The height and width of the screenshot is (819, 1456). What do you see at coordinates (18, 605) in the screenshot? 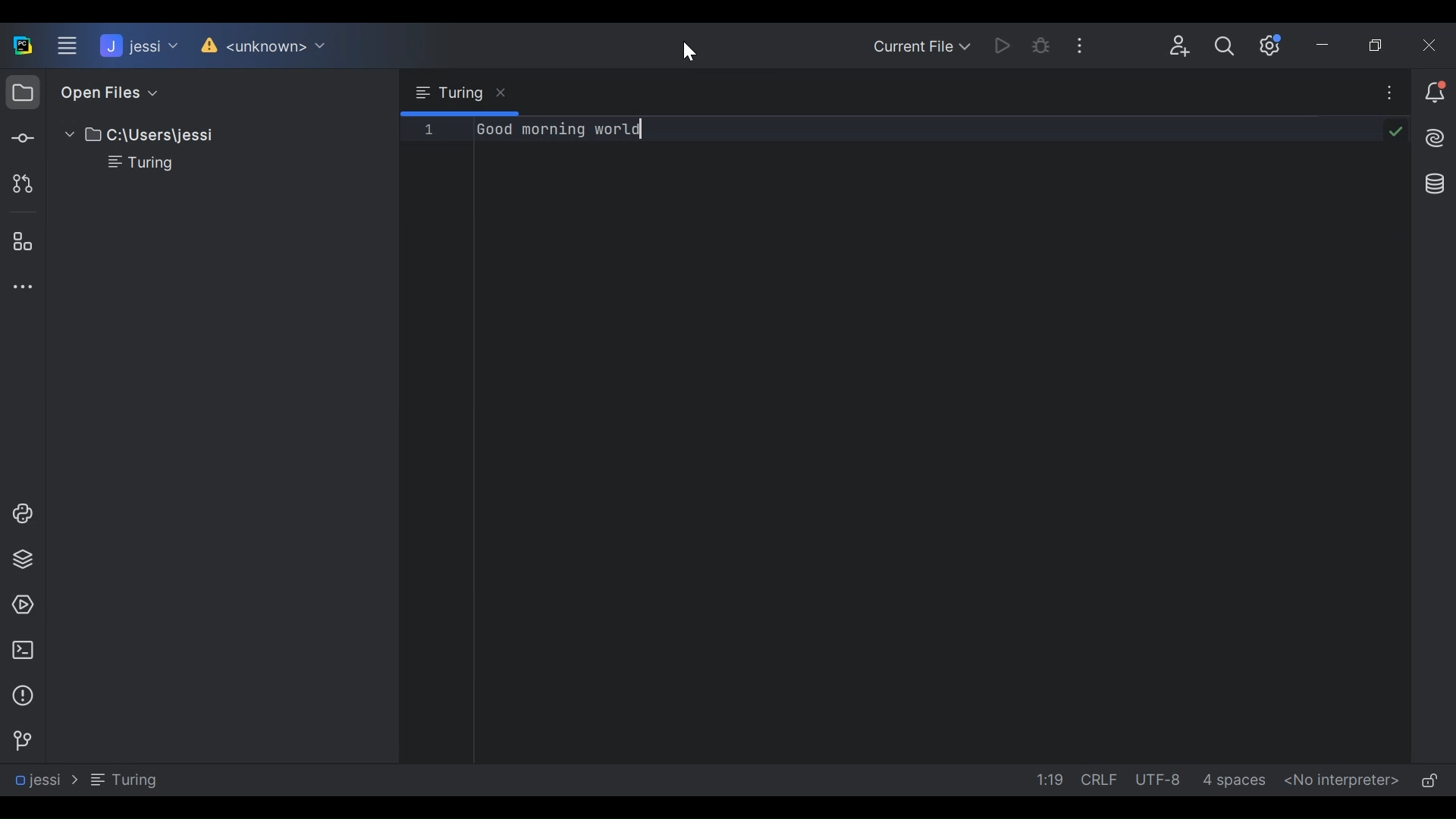
I see `Services` at bounding box center [18, 605].